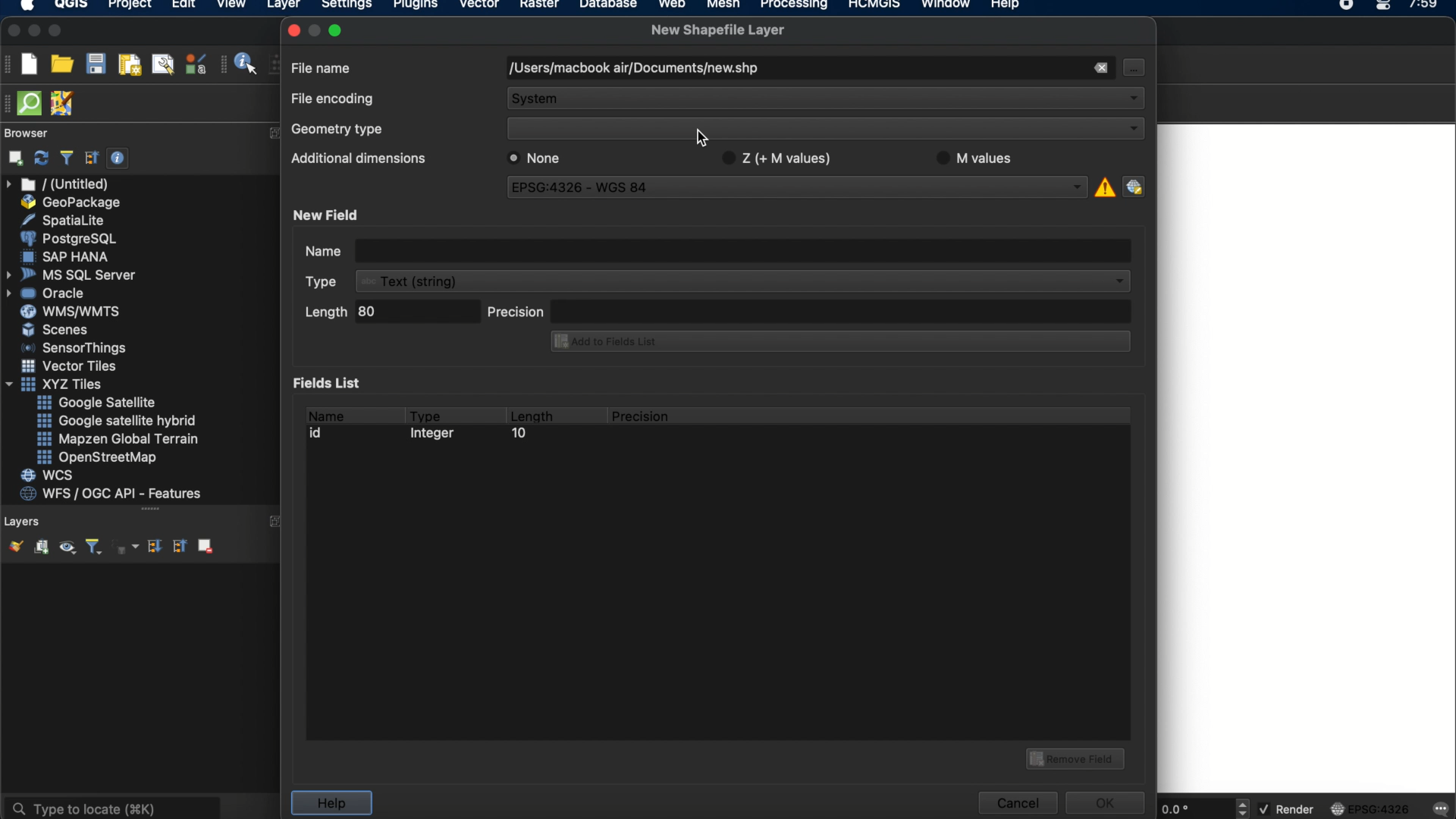 The image size is (1456, 819). What do you see at coordinates (1192, 808) in the screenshot?
I see `degree` at bounding box center [1192, 808].